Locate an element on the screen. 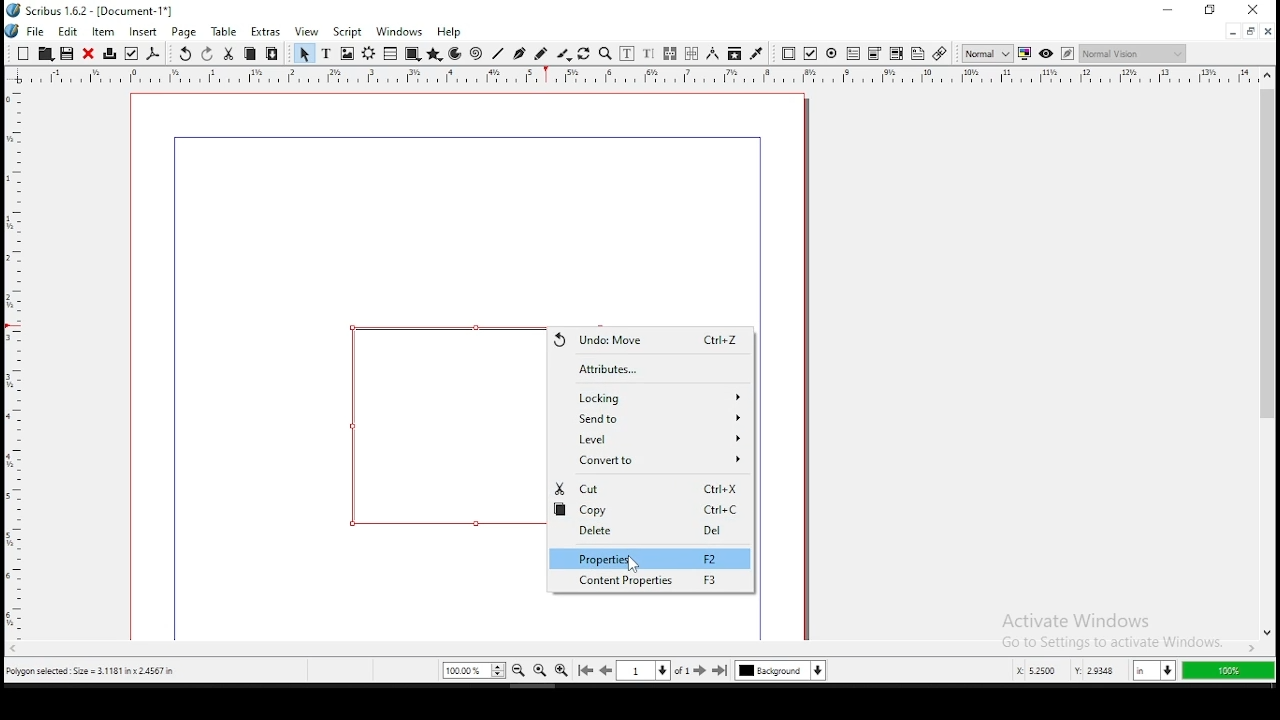  go to previous page is located at coordinates (606, 670).